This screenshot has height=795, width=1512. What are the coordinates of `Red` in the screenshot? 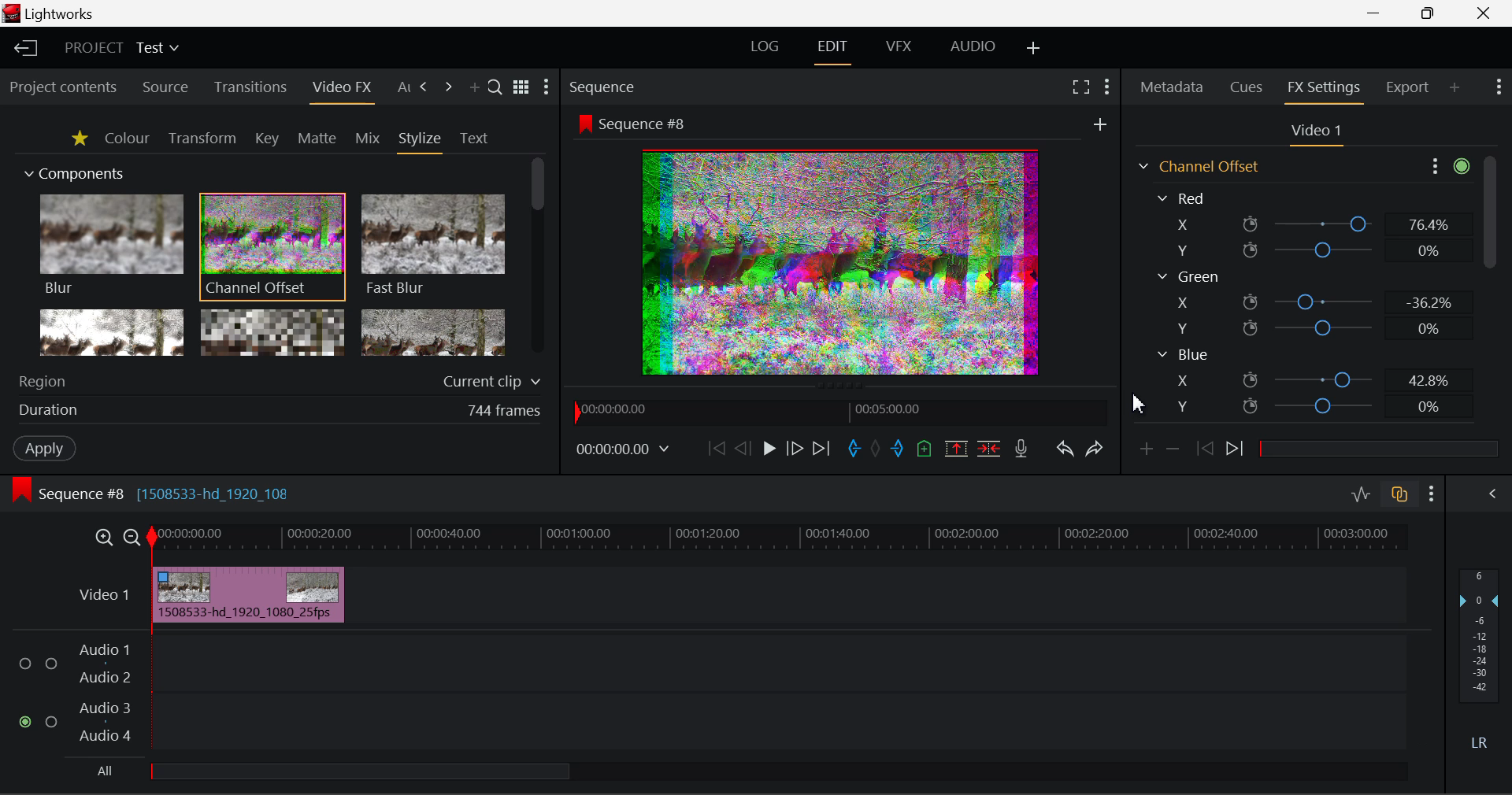 It's located at (1184, 197).